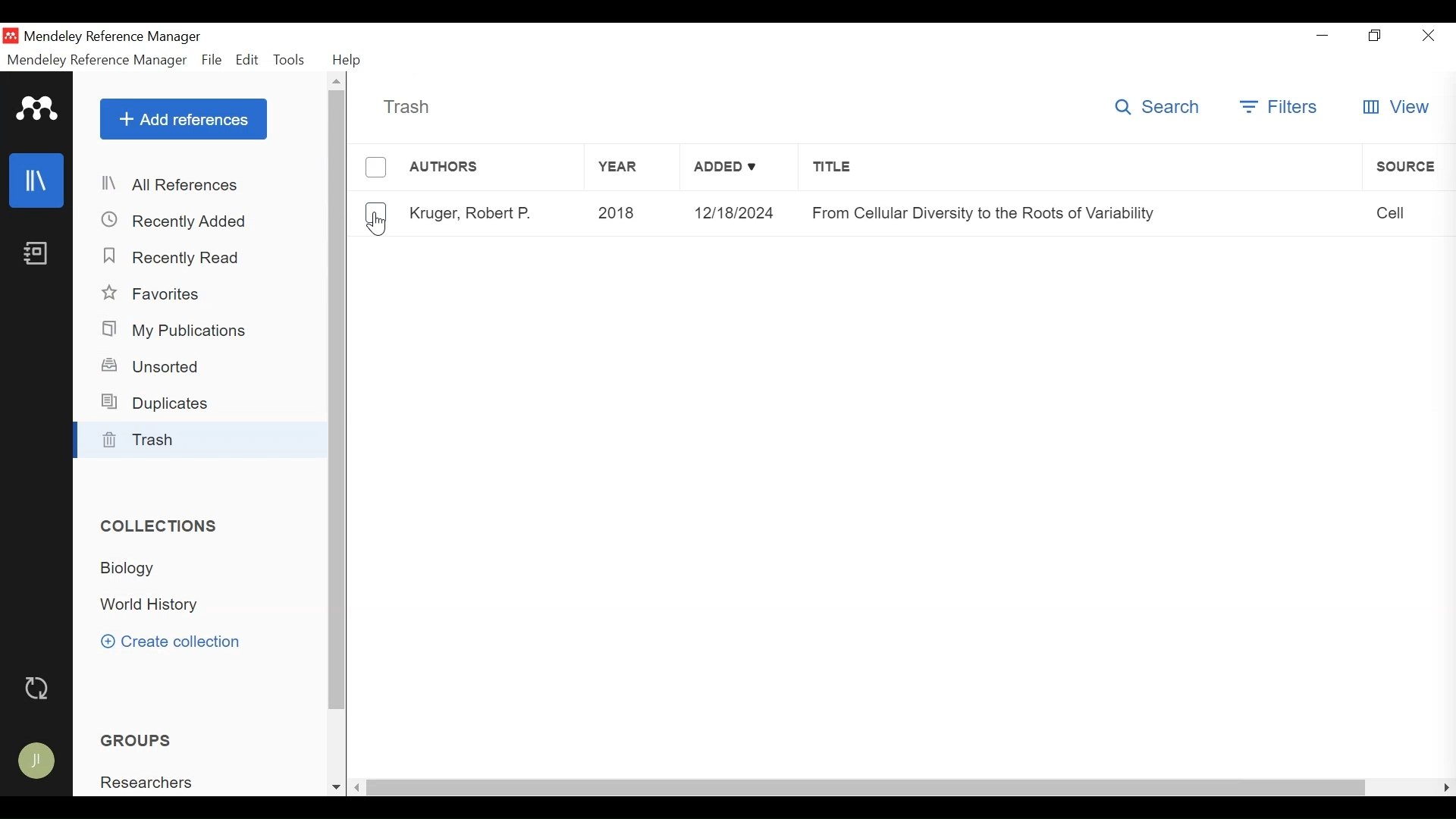 The width and height of the screenshot is (1456, 819). I want to click on 12/18/2024, so click(734, 213).